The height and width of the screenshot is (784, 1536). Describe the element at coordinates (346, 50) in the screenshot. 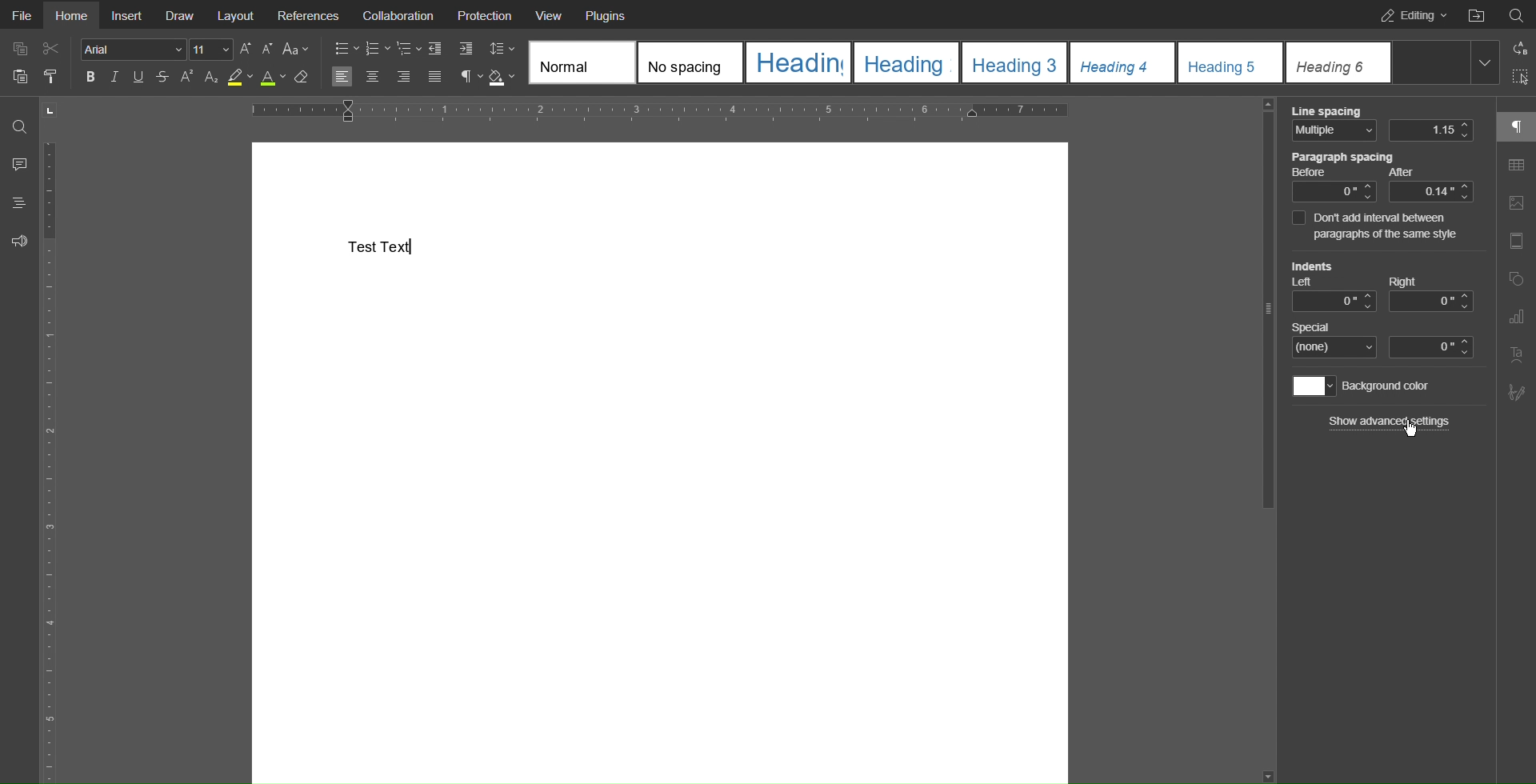

I see `Bullet List` at that location.